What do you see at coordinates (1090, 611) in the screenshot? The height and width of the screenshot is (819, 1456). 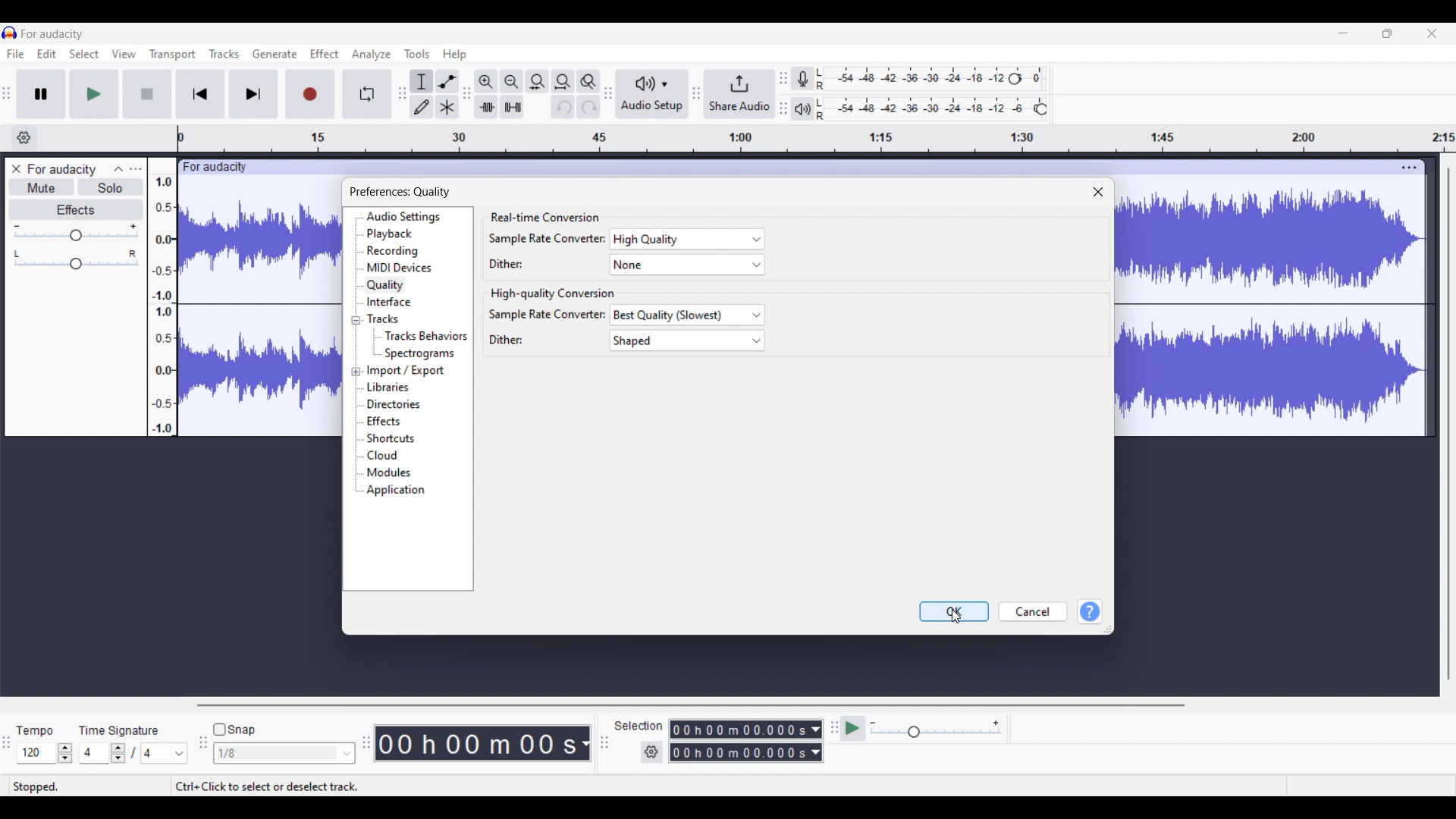 I see `Help` at bounding box center [1090, 611].